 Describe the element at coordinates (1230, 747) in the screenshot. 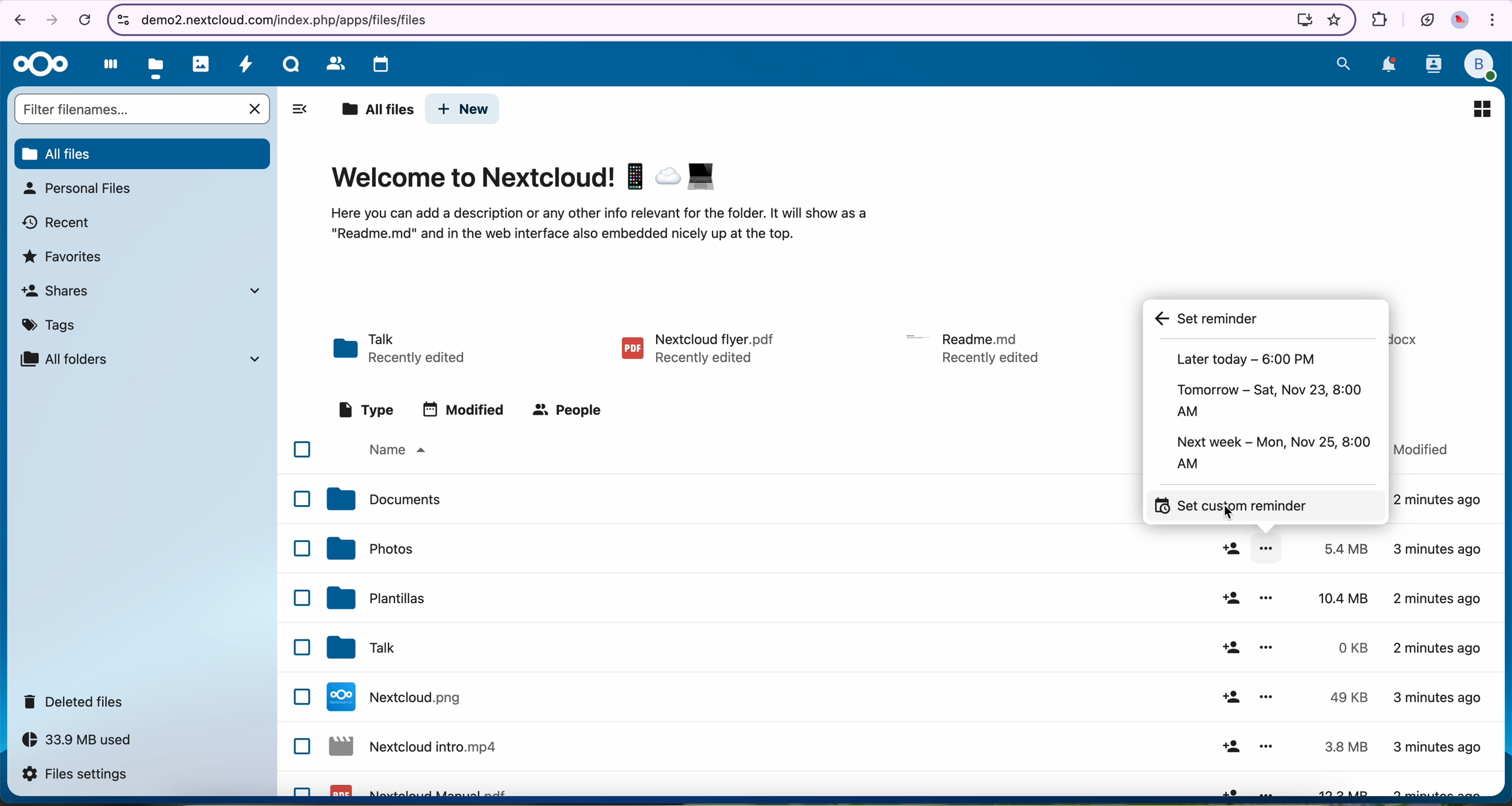

I see `share` at that location.